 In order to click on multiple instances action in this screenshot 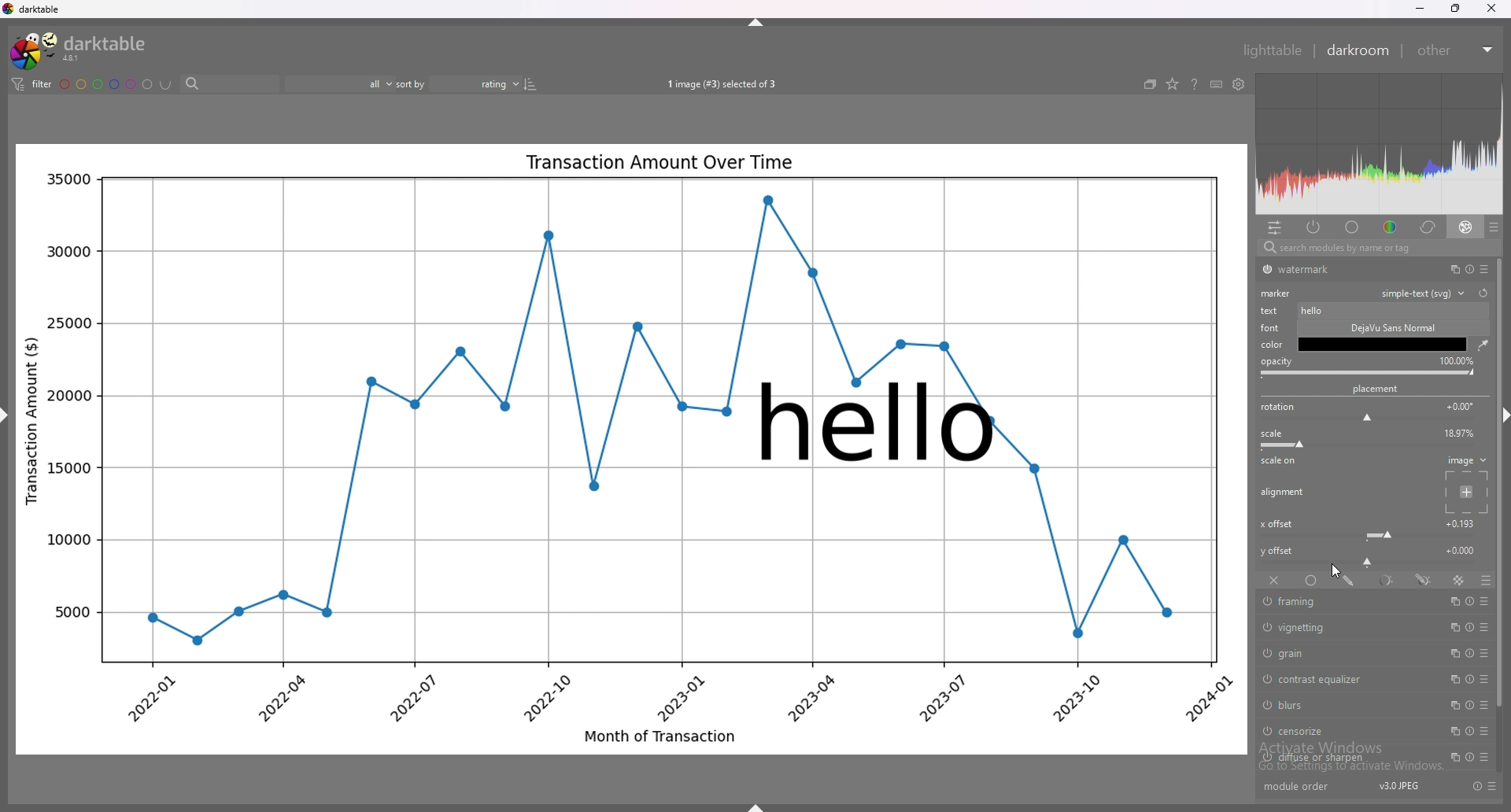, I will do `click(1453, 680)`.